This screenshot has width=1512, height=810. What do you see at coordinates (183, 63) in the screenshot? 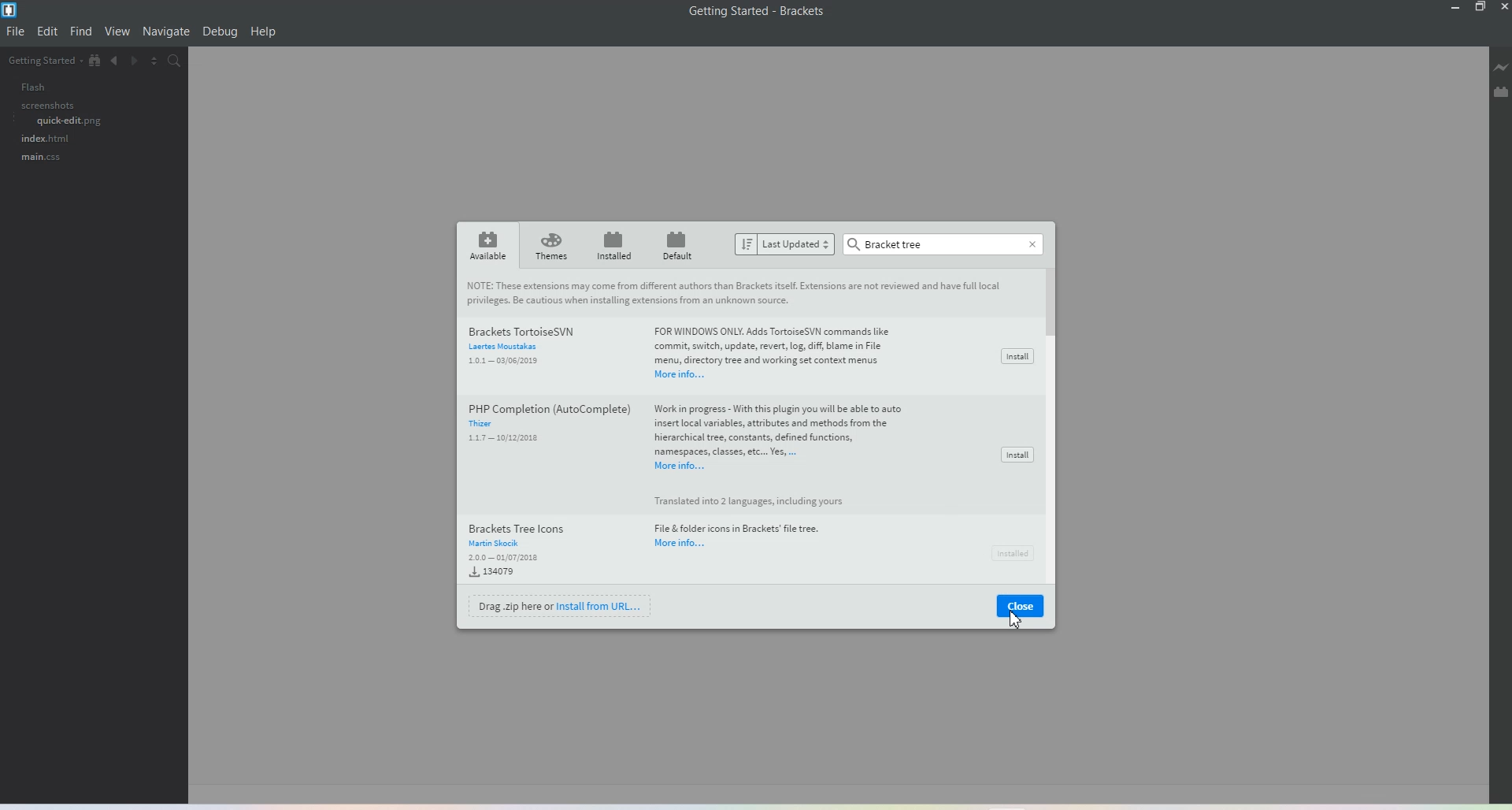
I see `Find In Files` at bounding box center [183, 63].